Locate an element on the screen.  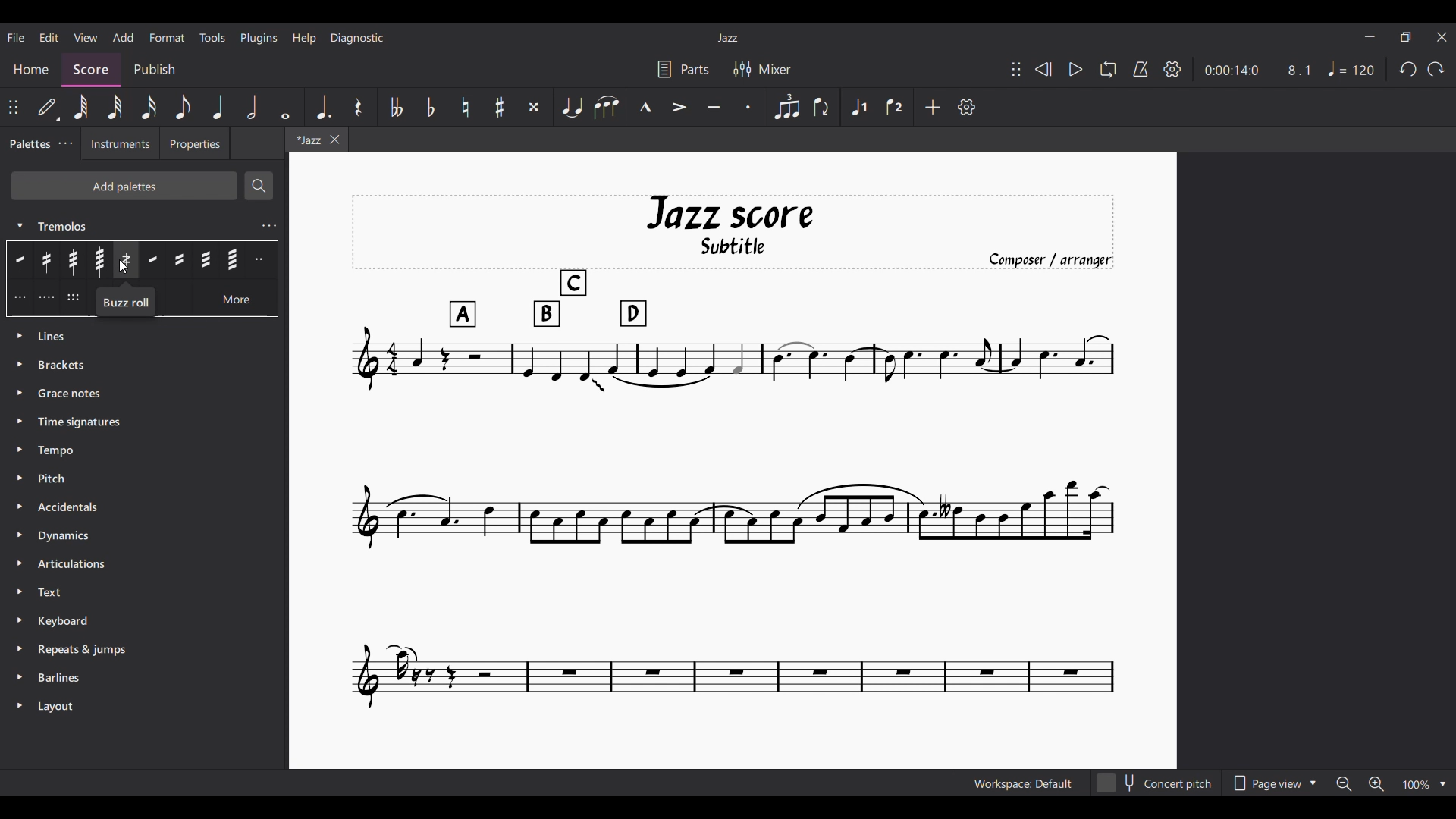
8th between notes is located at coordinates (152, 259).